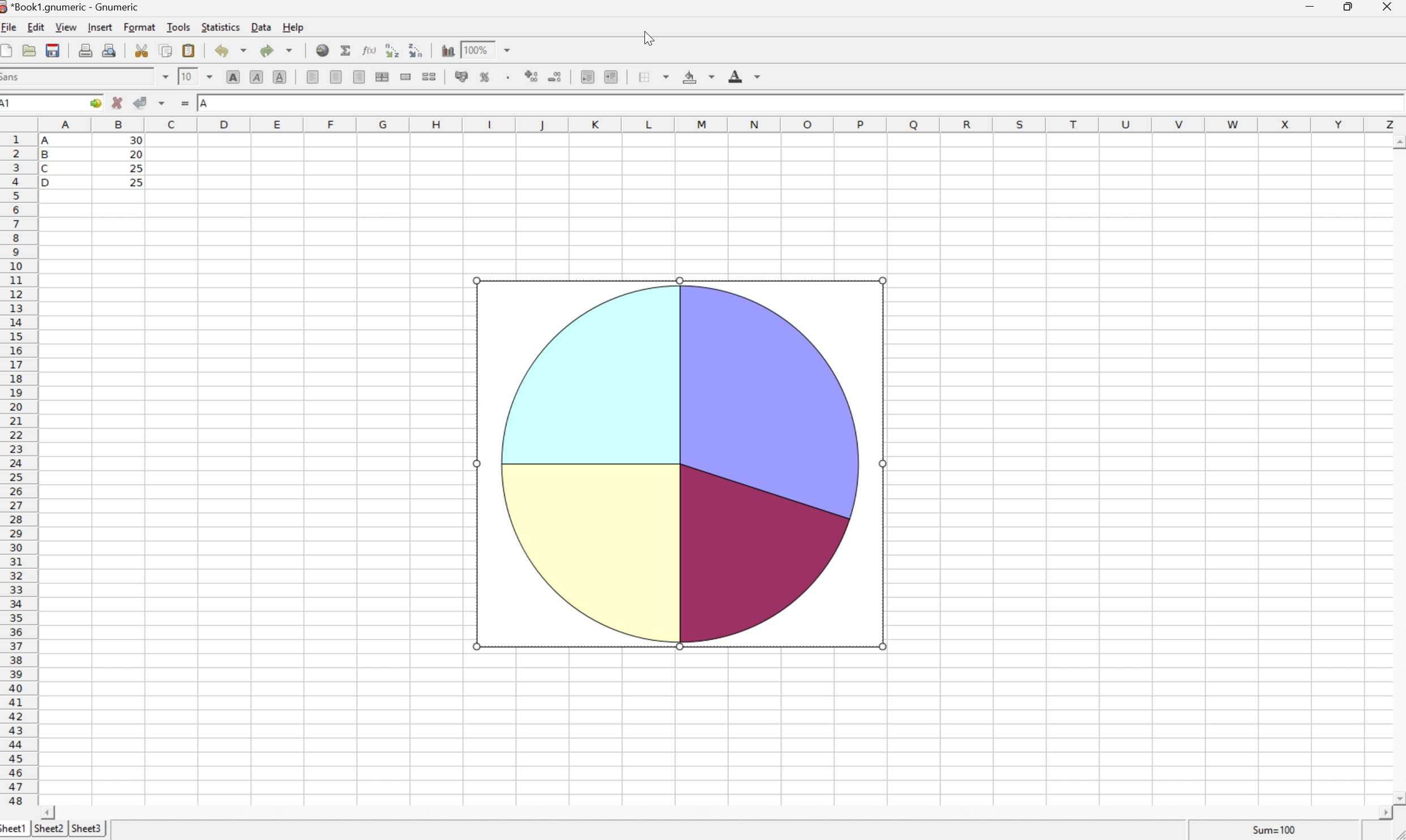  Describe the element at coordinates (210, 76) in the screenshot. I see `Drop Down` at that location.